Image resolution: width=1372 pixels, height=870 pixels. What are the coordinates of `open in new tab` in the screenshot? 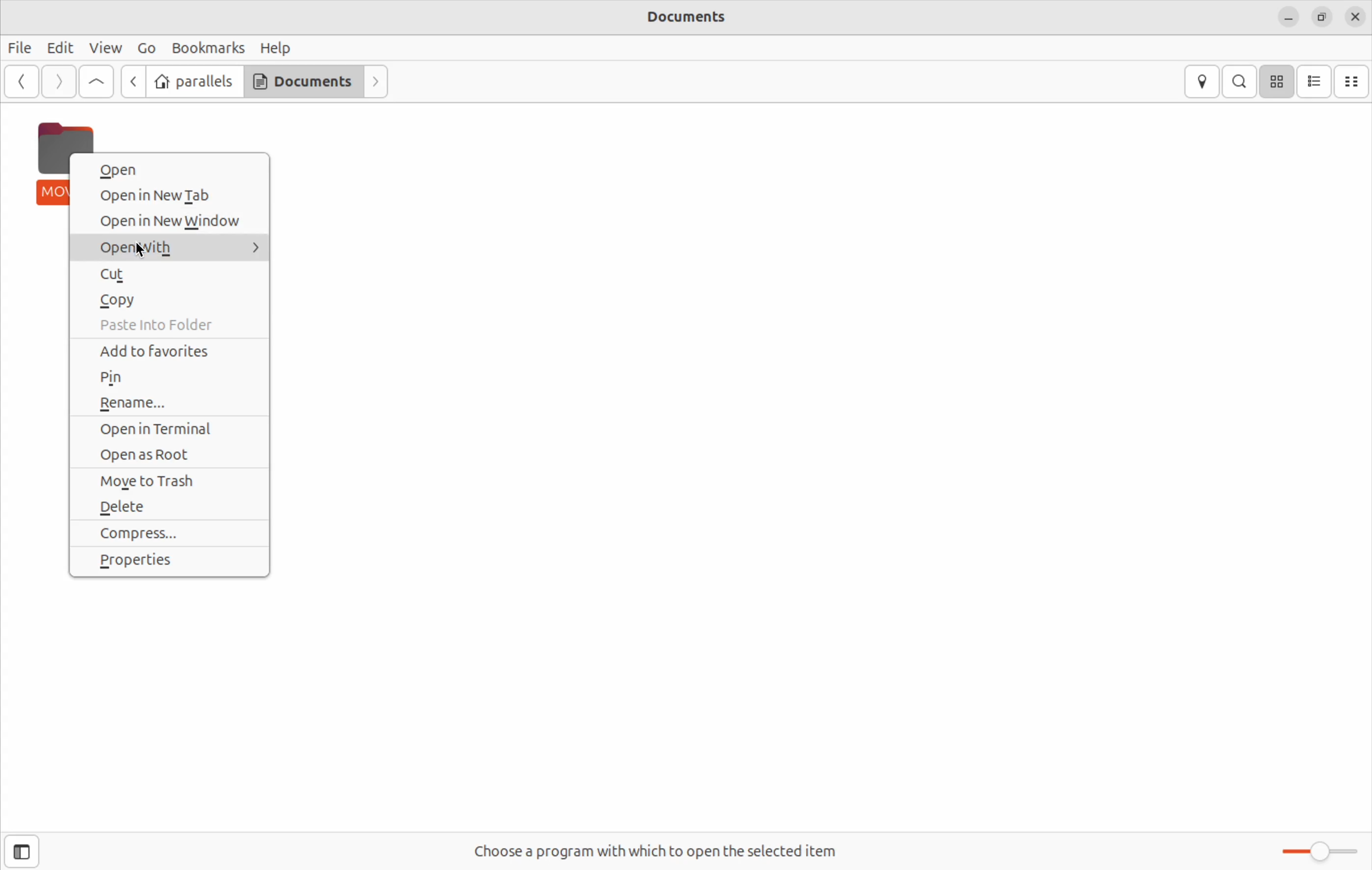 It's located at (170, 197).